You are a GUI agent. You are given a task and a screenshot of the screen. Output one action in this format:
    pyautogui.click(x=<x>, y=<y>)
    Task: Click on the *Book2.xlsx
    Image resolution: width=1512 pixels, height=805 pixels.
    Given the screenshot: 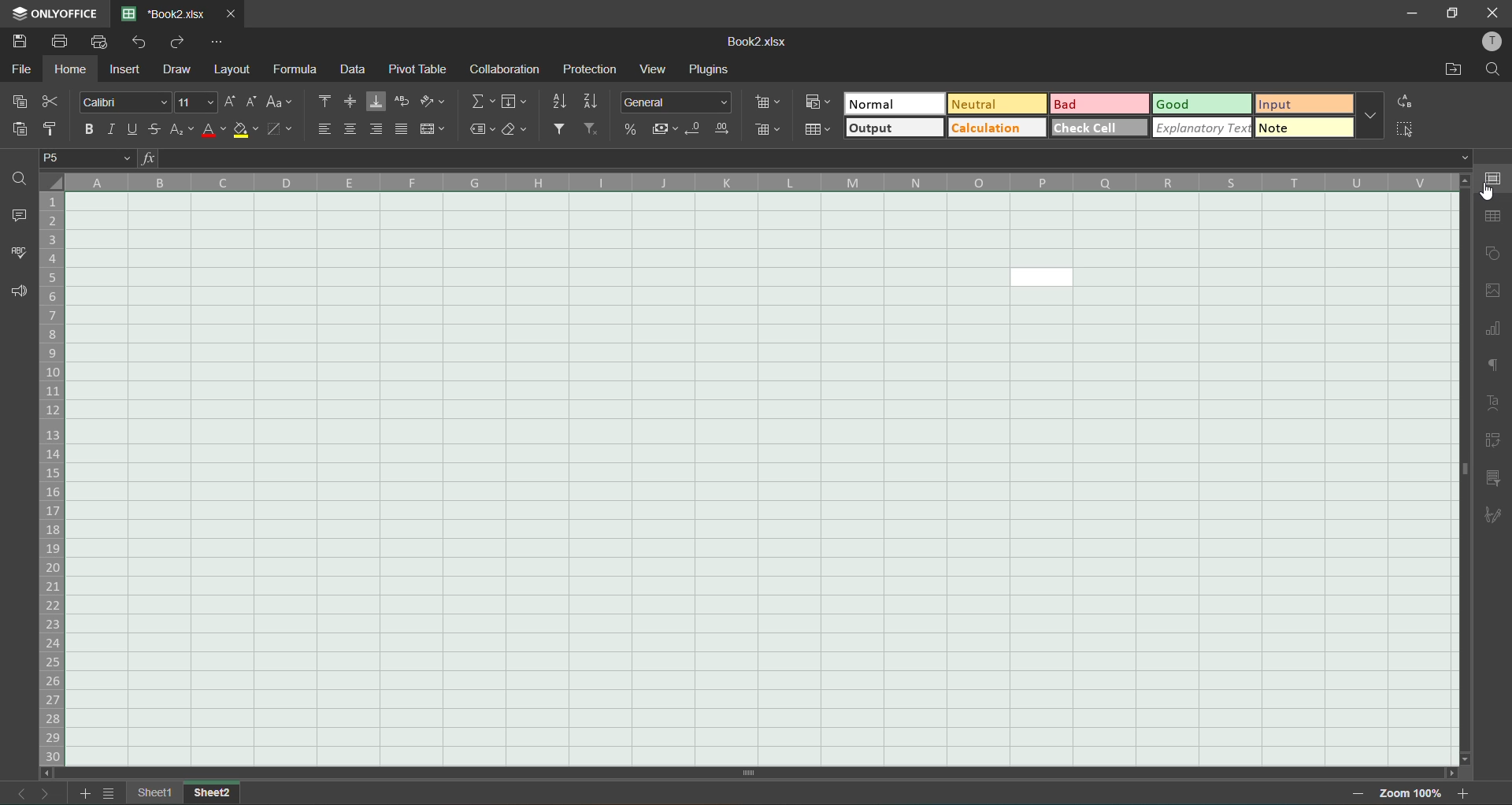 What is the action you would take?
    pyautogui.click(x=166, y=12)
    